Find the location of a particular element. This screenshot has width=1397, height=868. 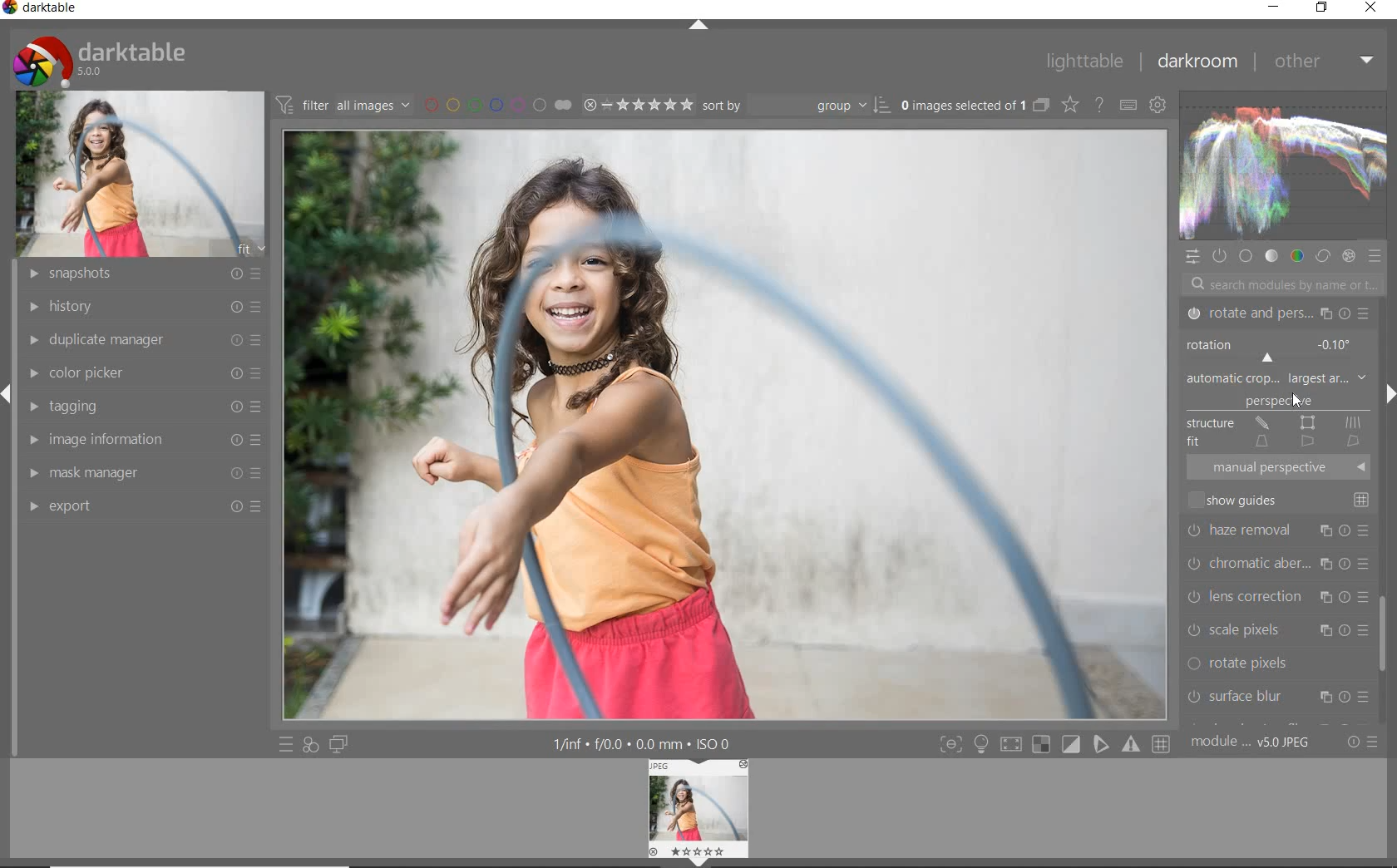

darkroom is located at coordinates (1198, 60).